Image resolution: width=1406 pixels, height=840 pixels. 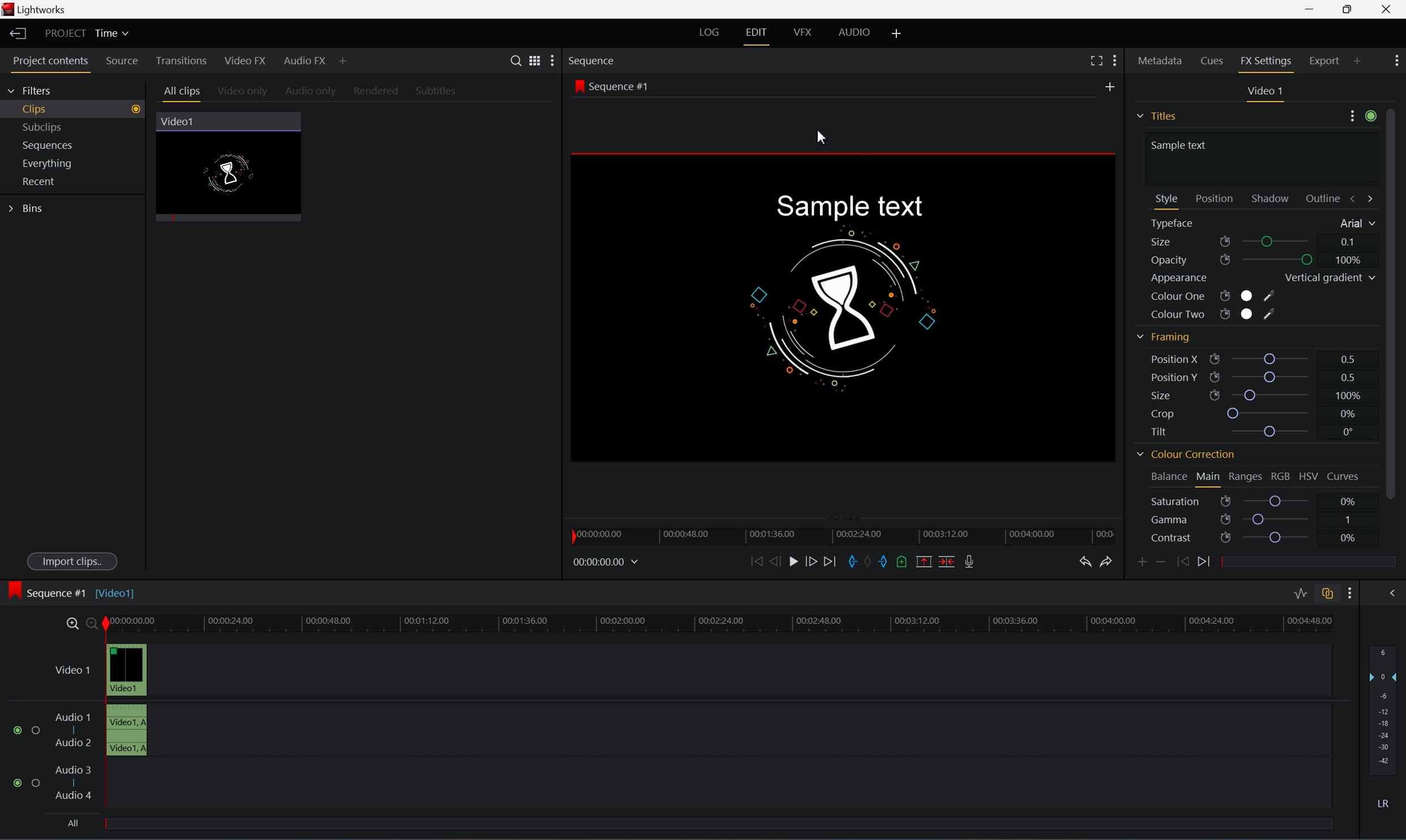 What do you see at coordinates (1349, 260) in the screenshot?
I see `100%` at bounding box center [1349, 260].